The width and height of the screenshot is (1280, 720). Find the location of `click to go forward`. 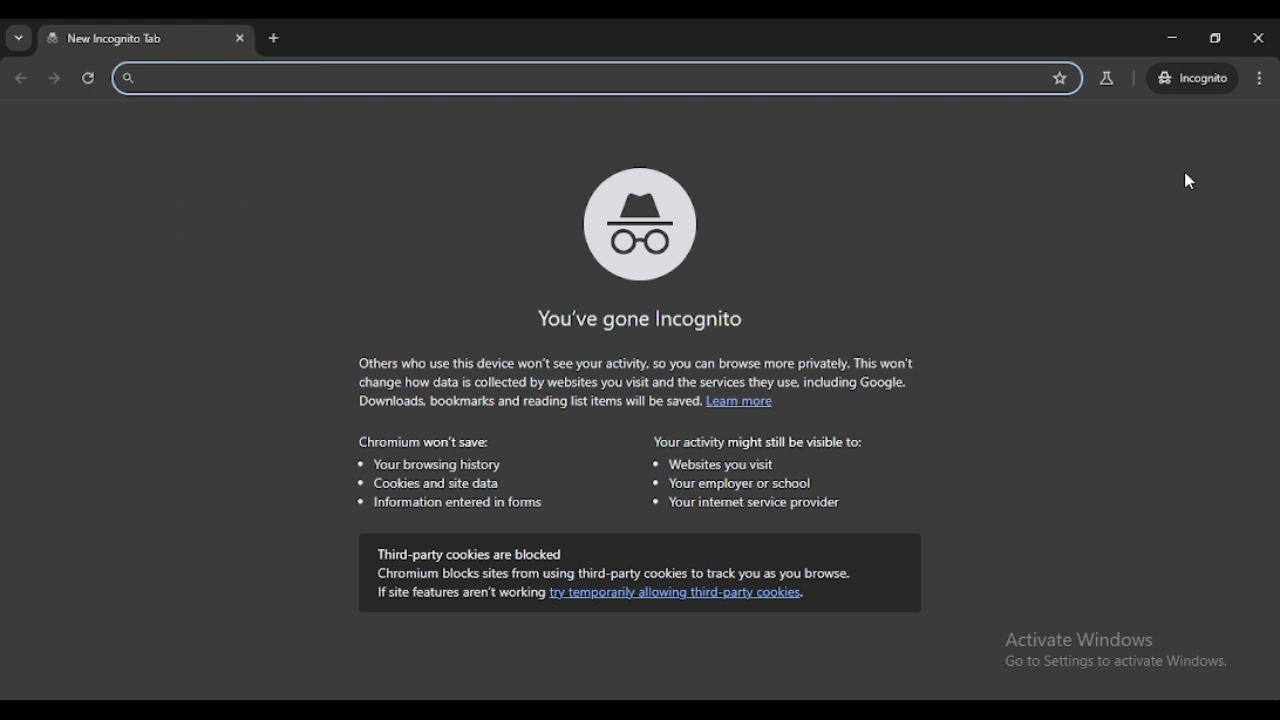

click to go forward is located at coordinates (54, 79).